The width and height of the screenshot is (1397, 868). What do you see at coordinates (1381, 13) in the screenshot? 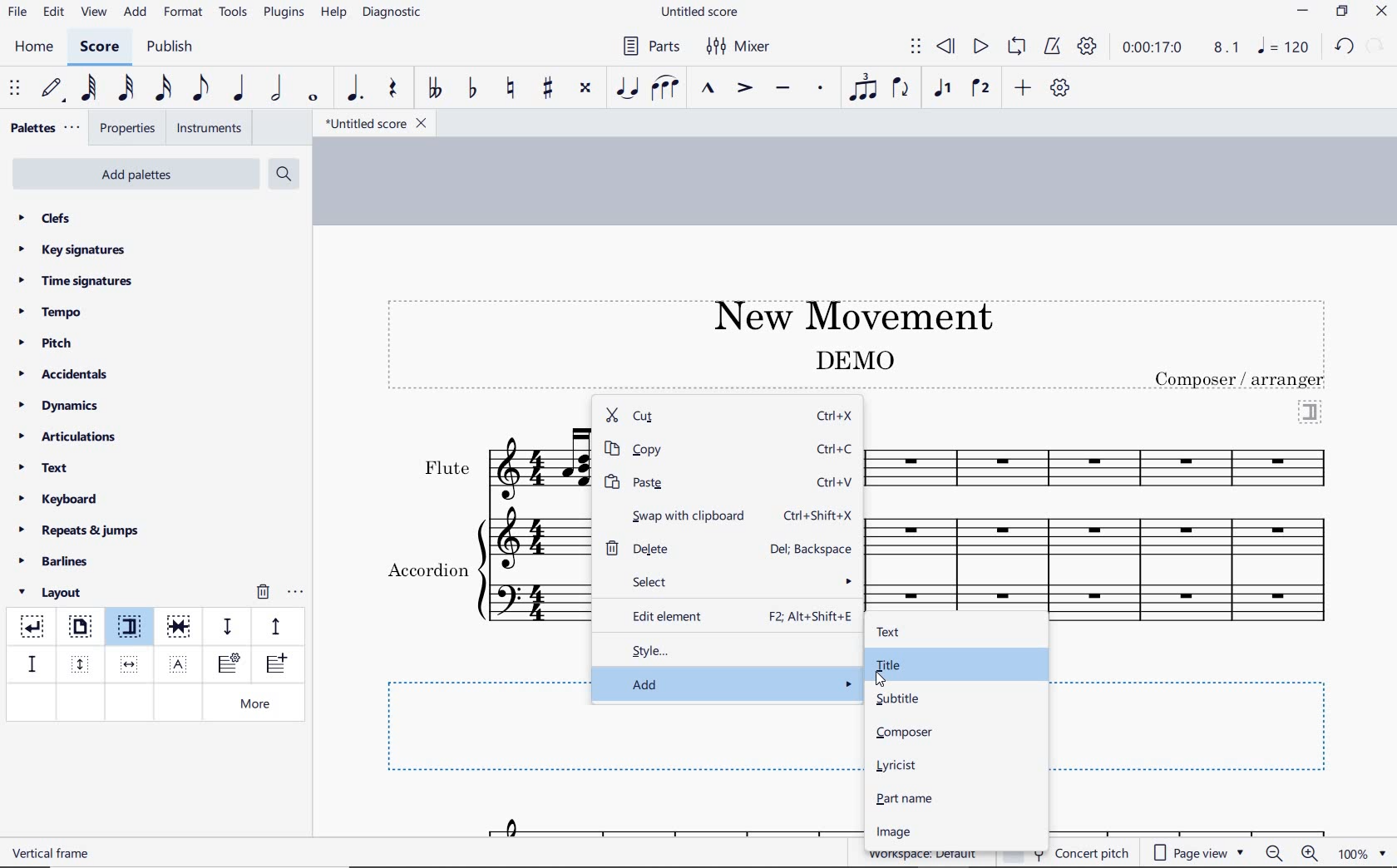
I see `close` at bounding box center [1381, 13].